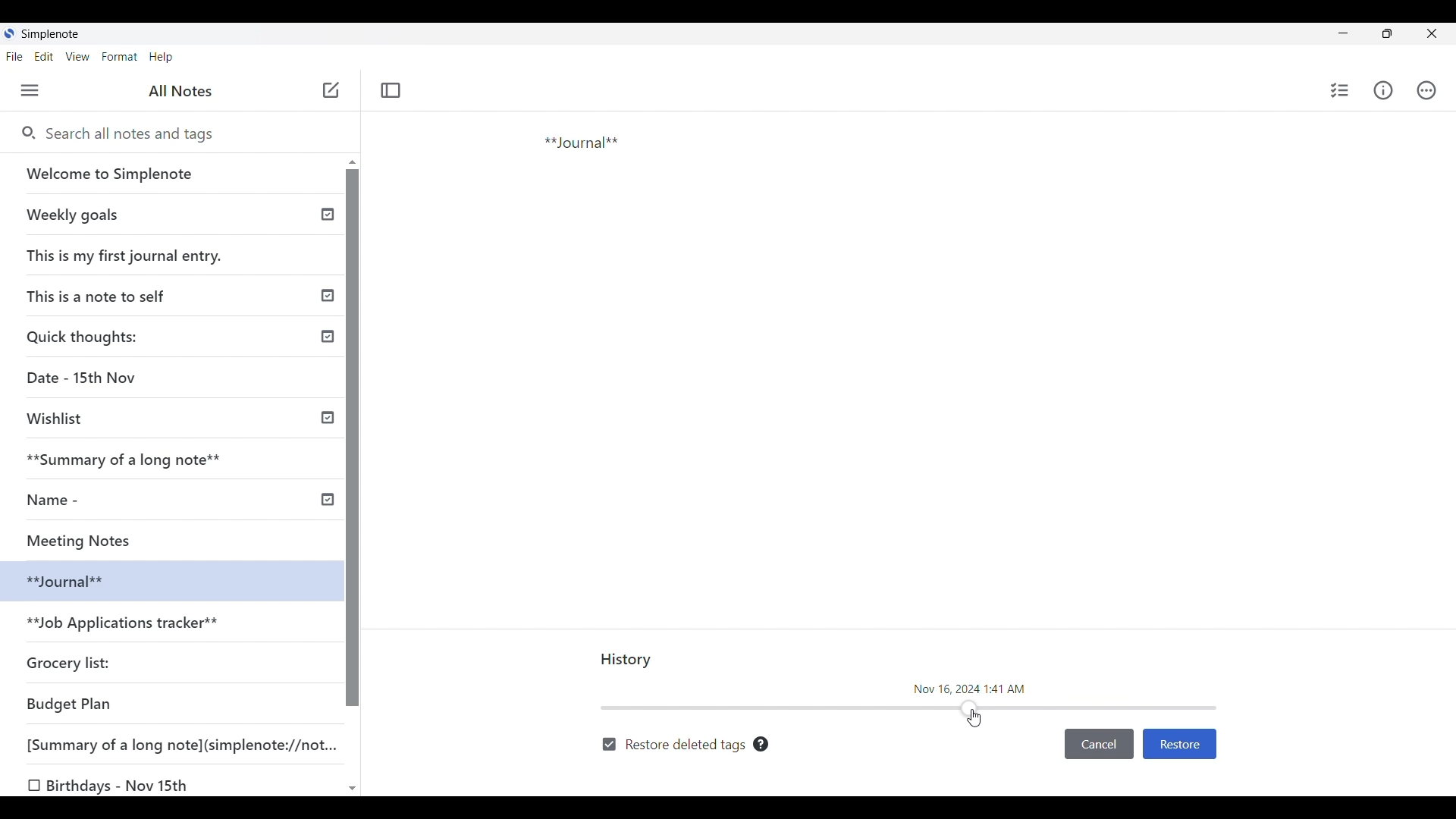 This screenshot has height=819, width=1456. I want to click on Search all notes and tags, so click(189, 134).